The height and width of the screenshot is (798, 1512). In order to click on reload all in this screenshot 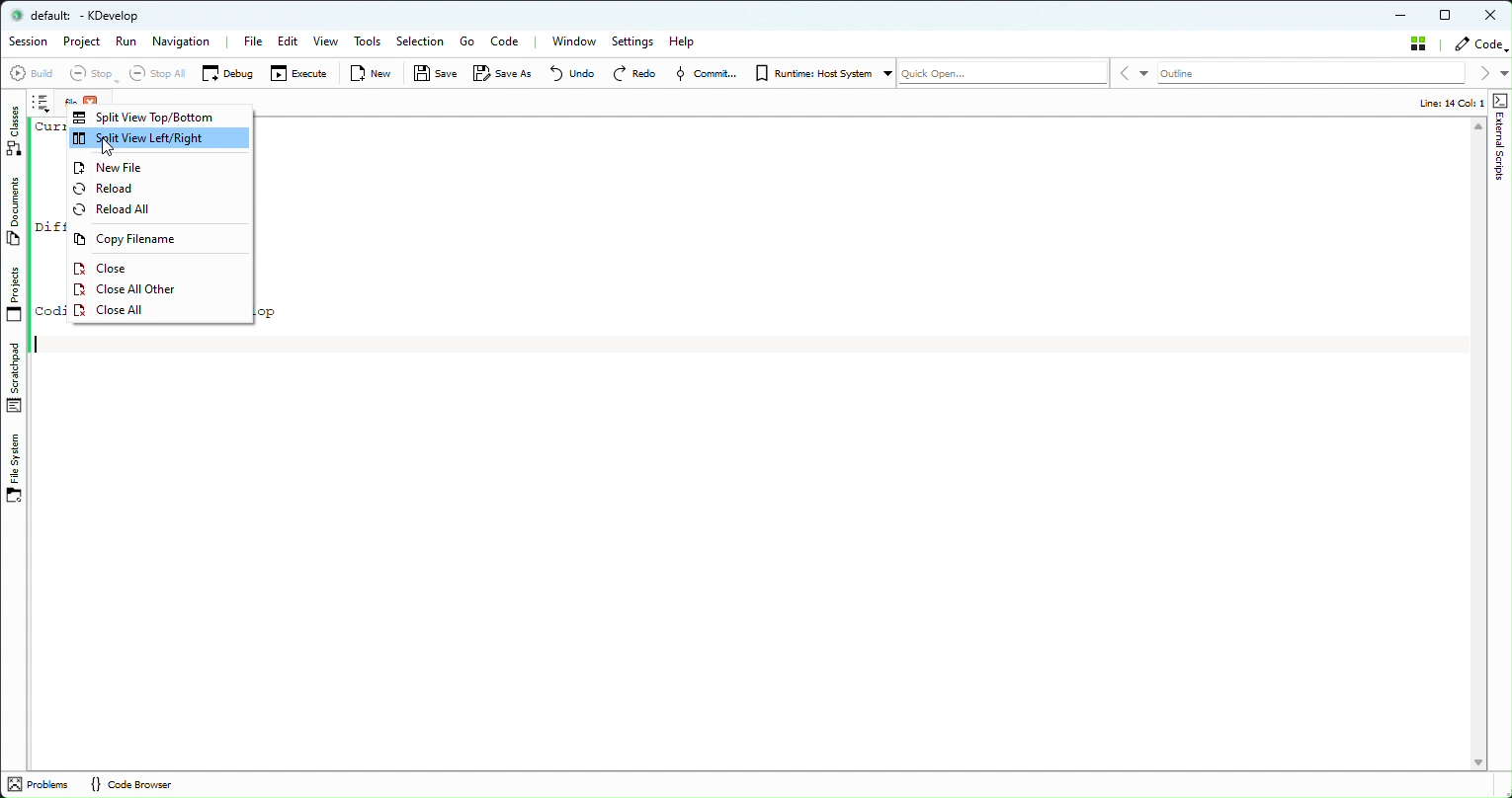, I will do `click(155, 208)`.